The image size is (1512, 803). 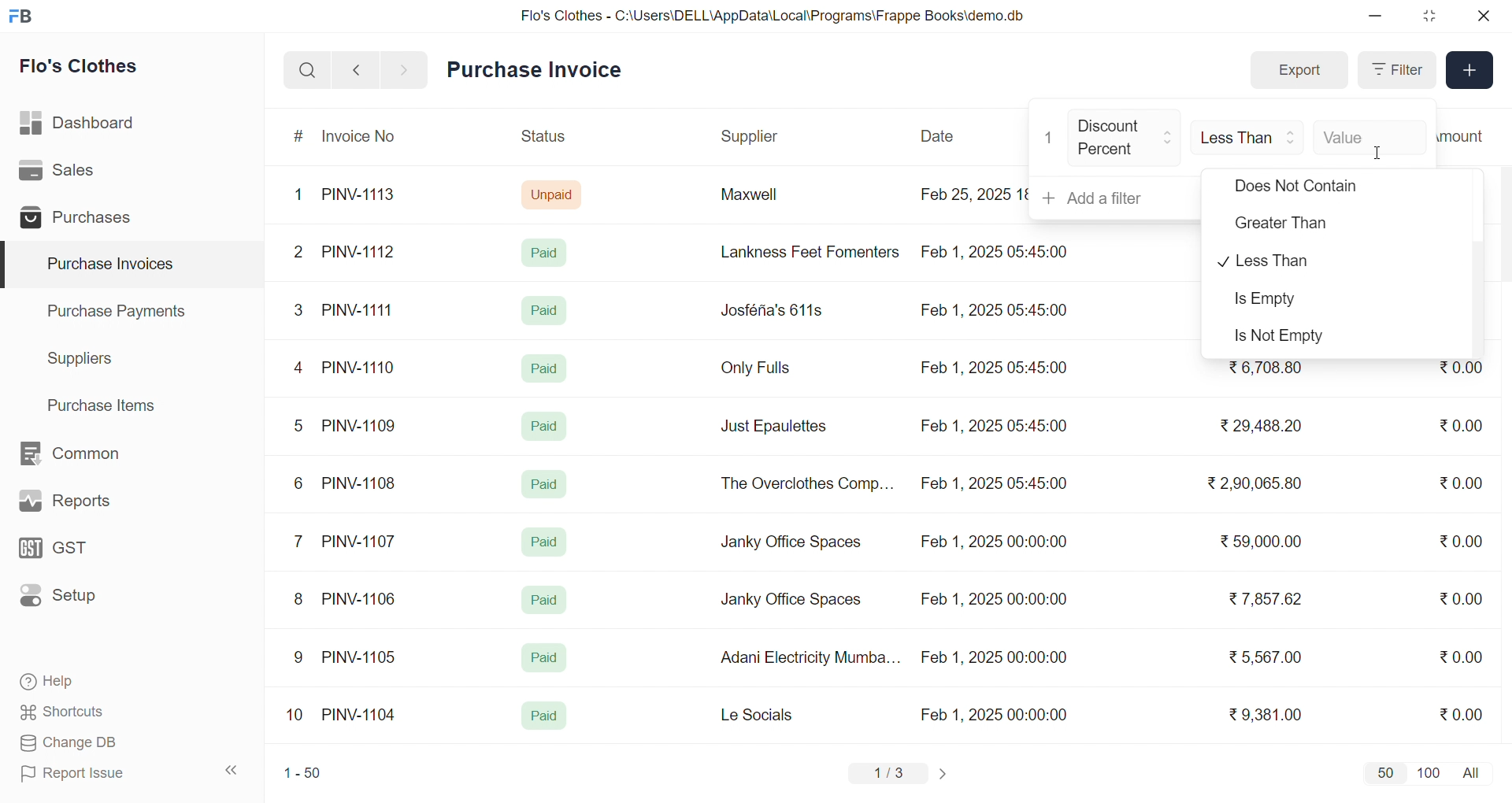 What do you see at coordinates (554, 194) in the screenshot?
I see `Unpaid` at bounding box center [554, 194].